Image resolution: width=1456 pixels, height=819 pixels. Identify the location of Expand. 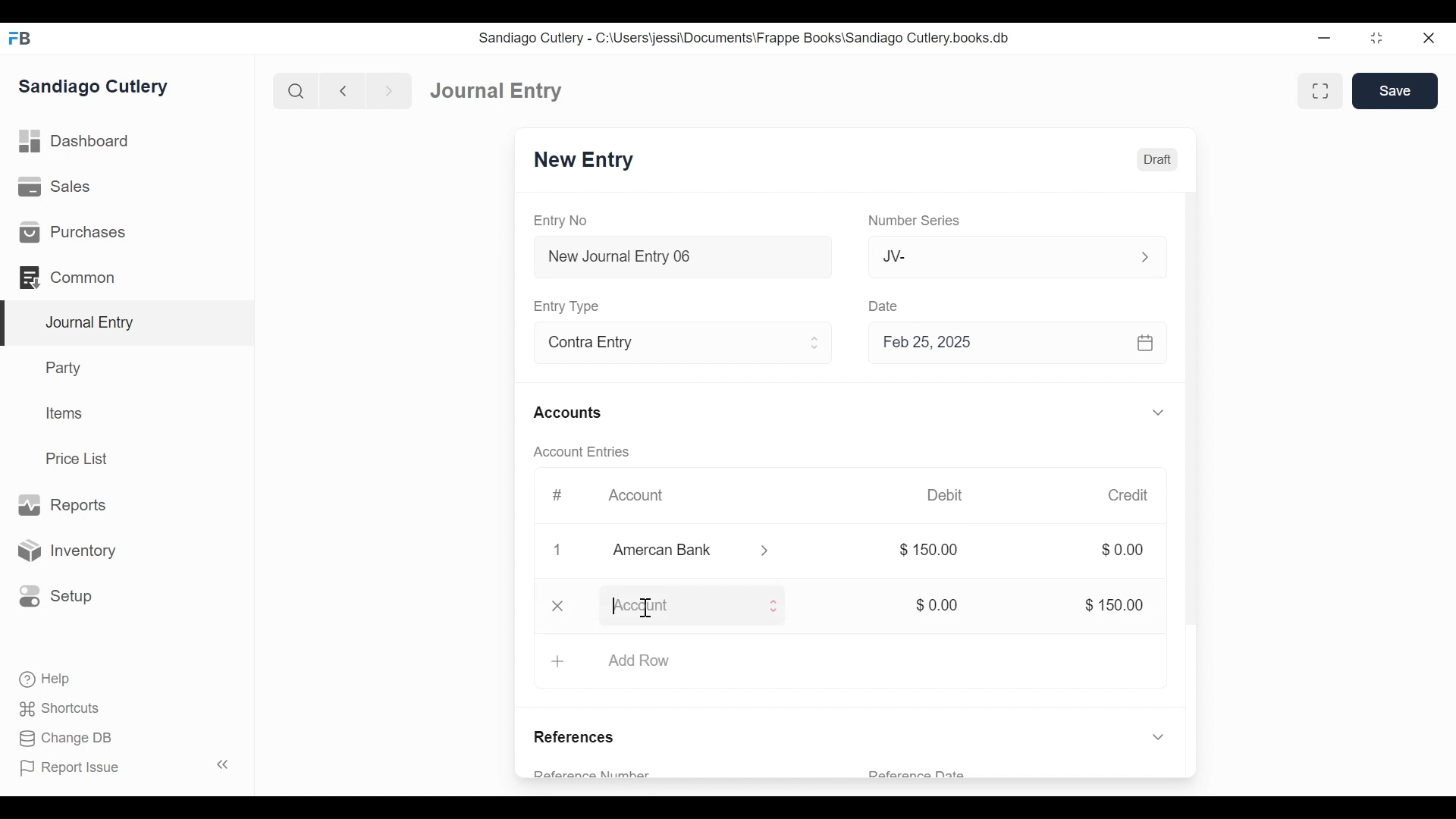
(1161, 413).